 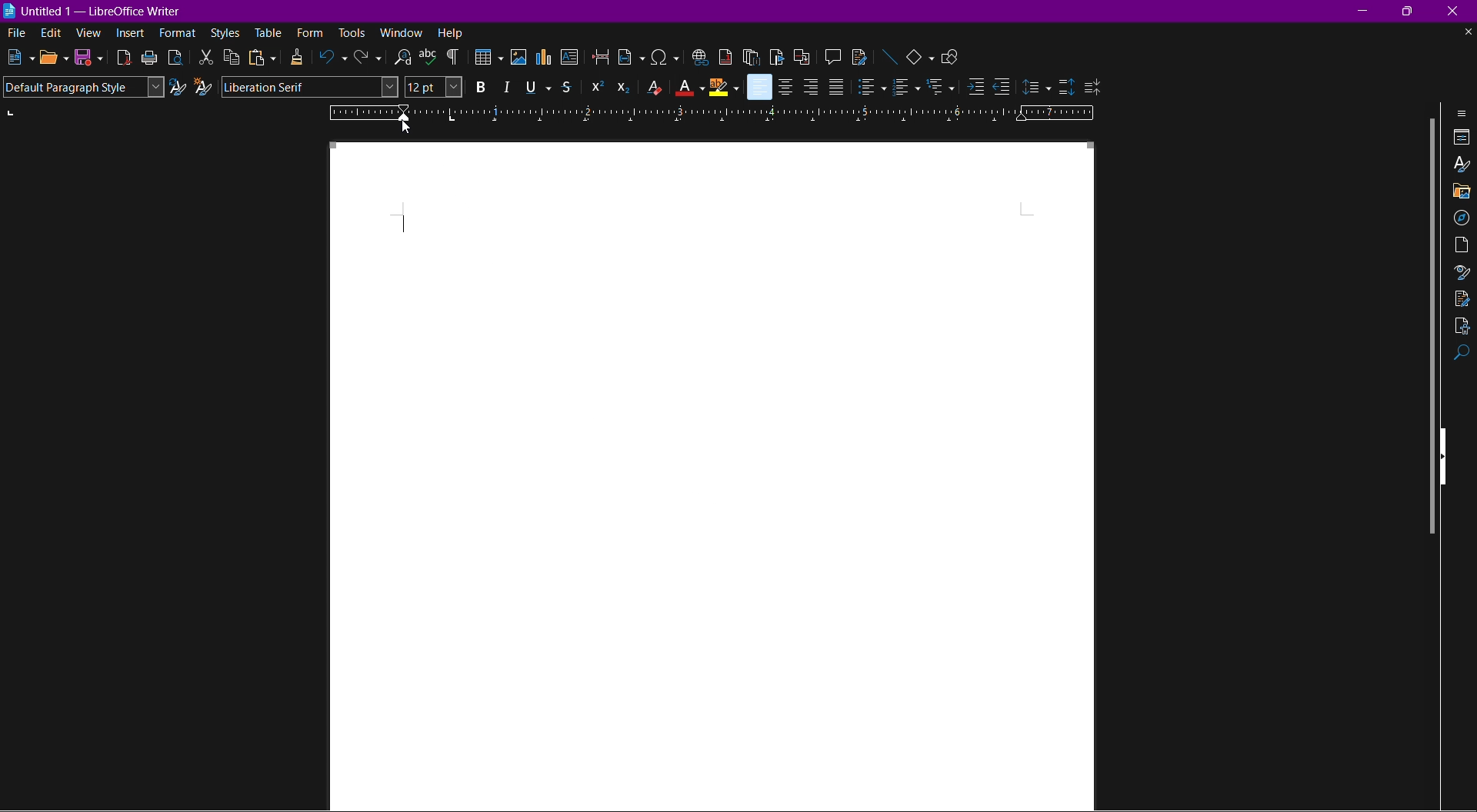 What do you see at coordinates (787, 86) in the screenshot?
I see `Align Center` at bounding box center [787, 86].